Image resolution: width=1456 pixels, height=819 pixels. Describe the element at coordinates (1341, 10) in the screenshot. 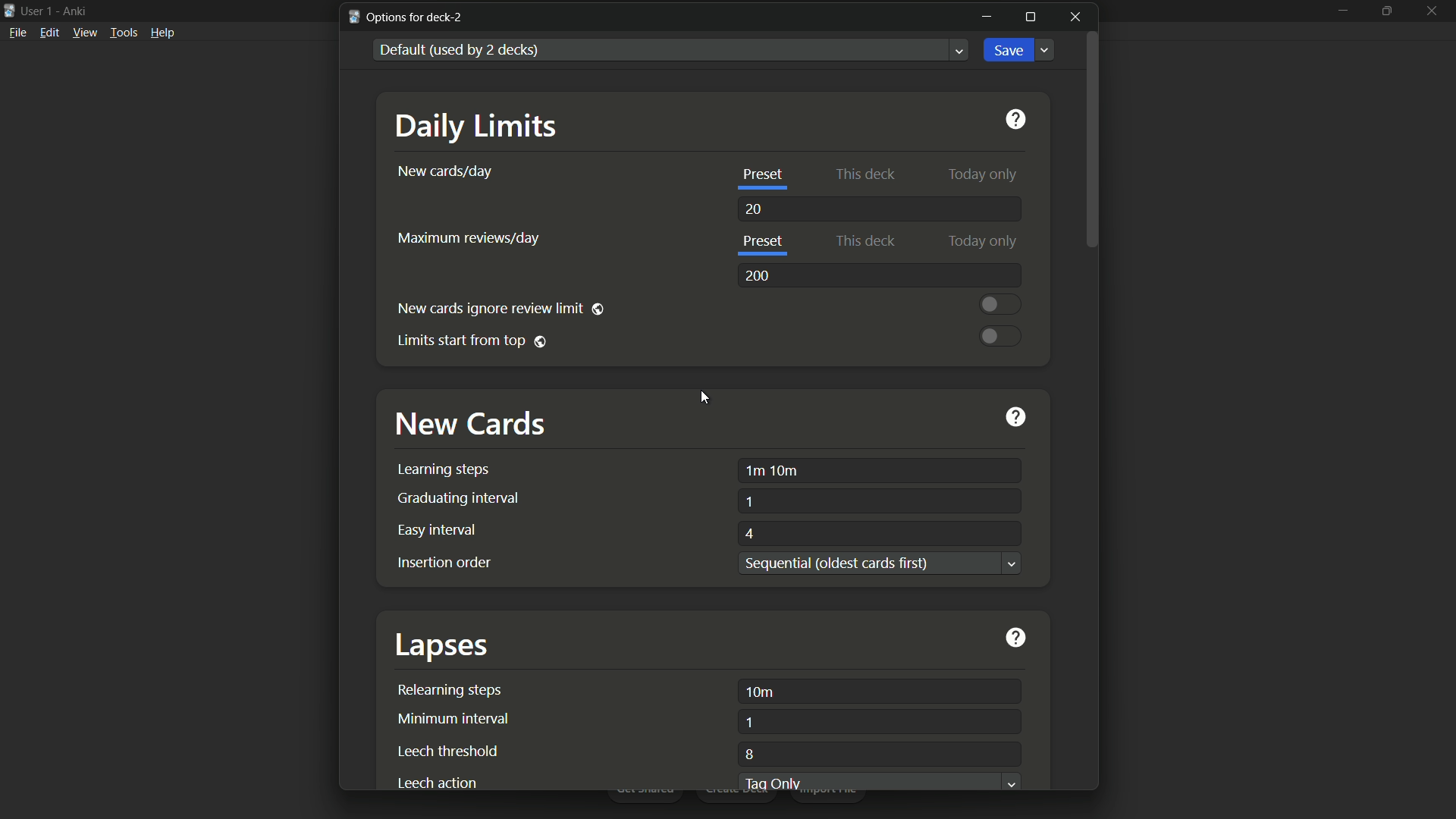

I see `minimize` at that location.